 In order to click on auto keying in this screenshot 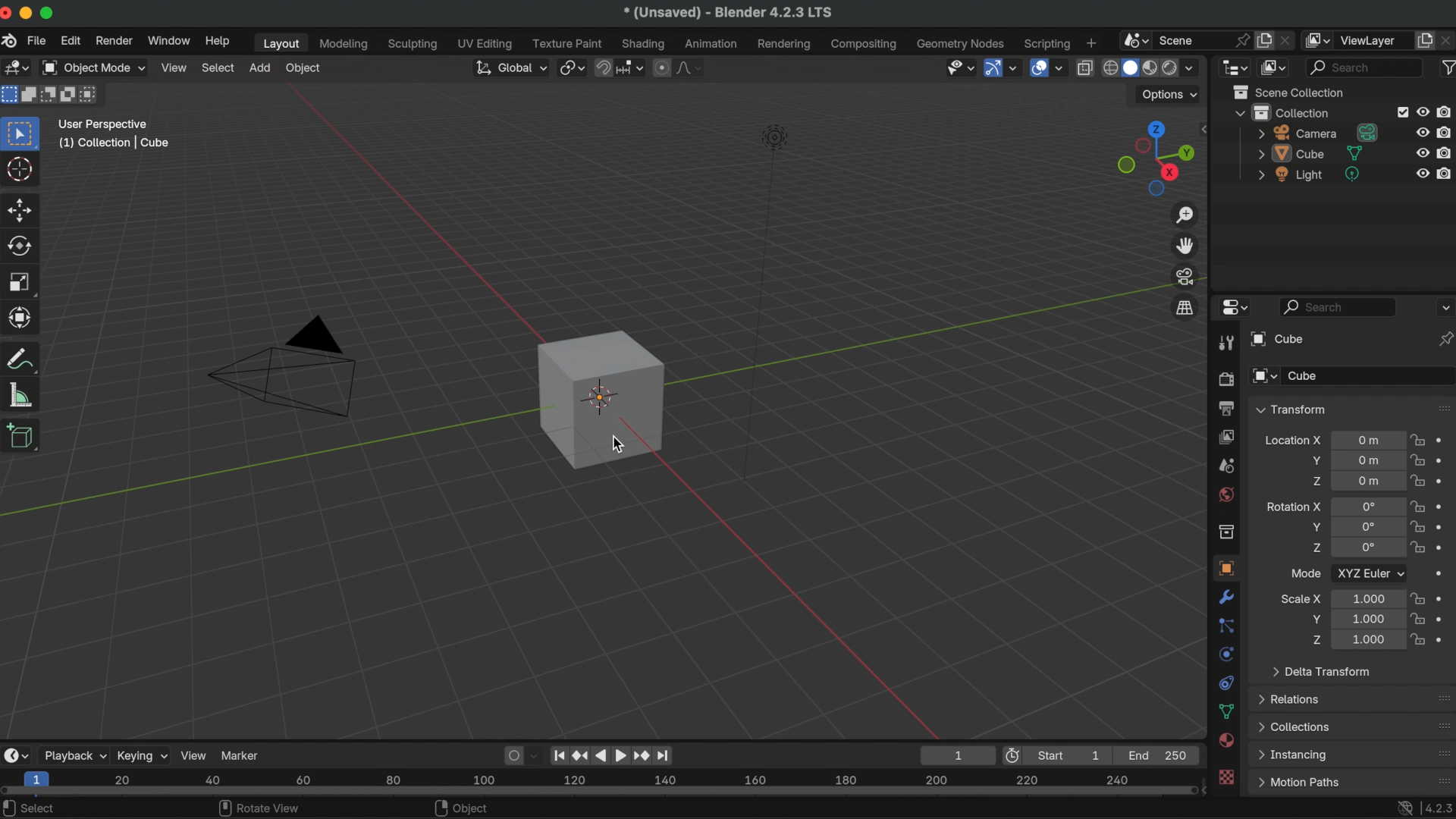, I will do `click(511, 754)`.